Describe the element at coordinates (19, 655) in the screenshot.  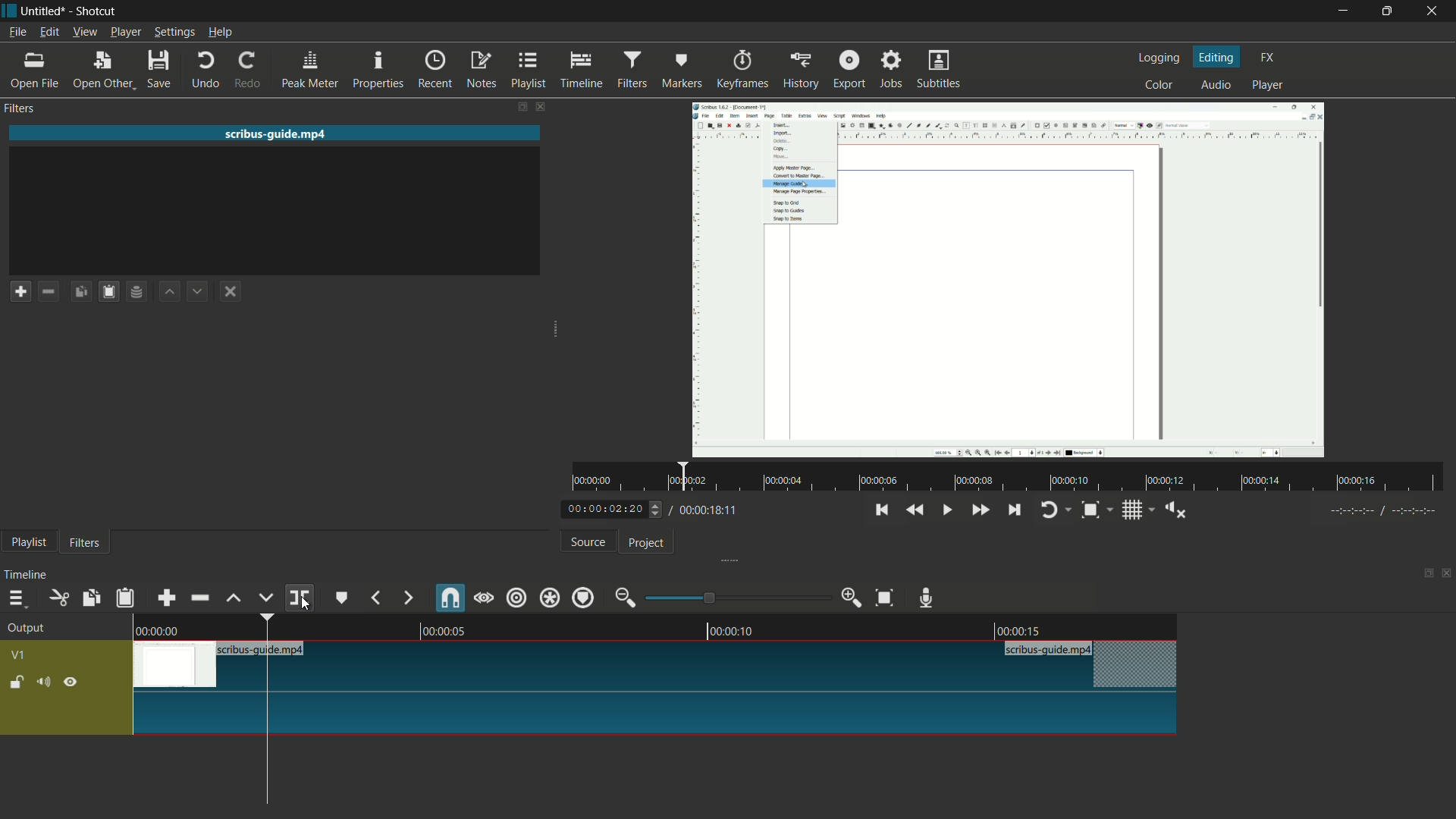
I see `v1` at that location.